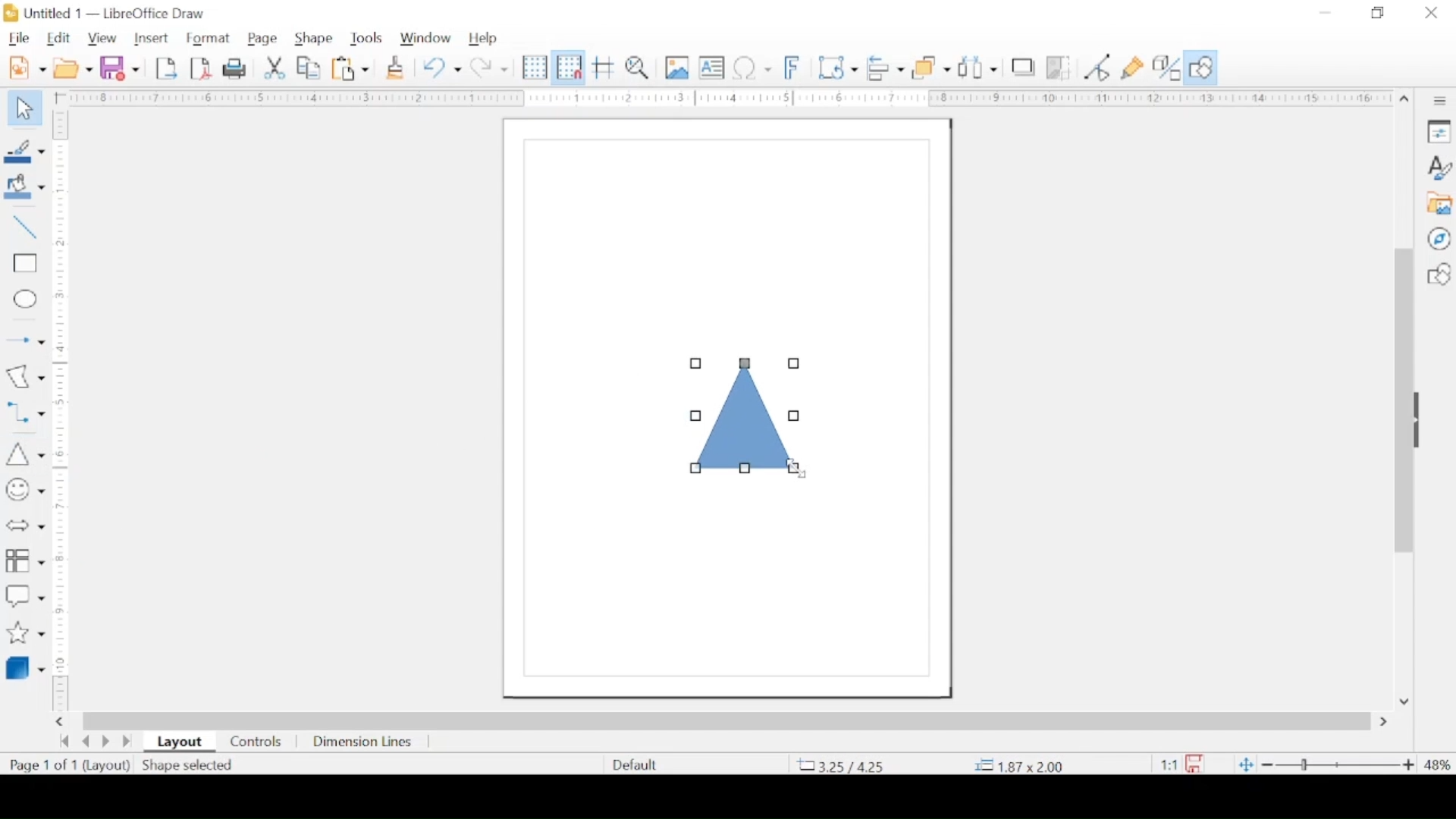  I want to click on minimize, so click(1323, 13).